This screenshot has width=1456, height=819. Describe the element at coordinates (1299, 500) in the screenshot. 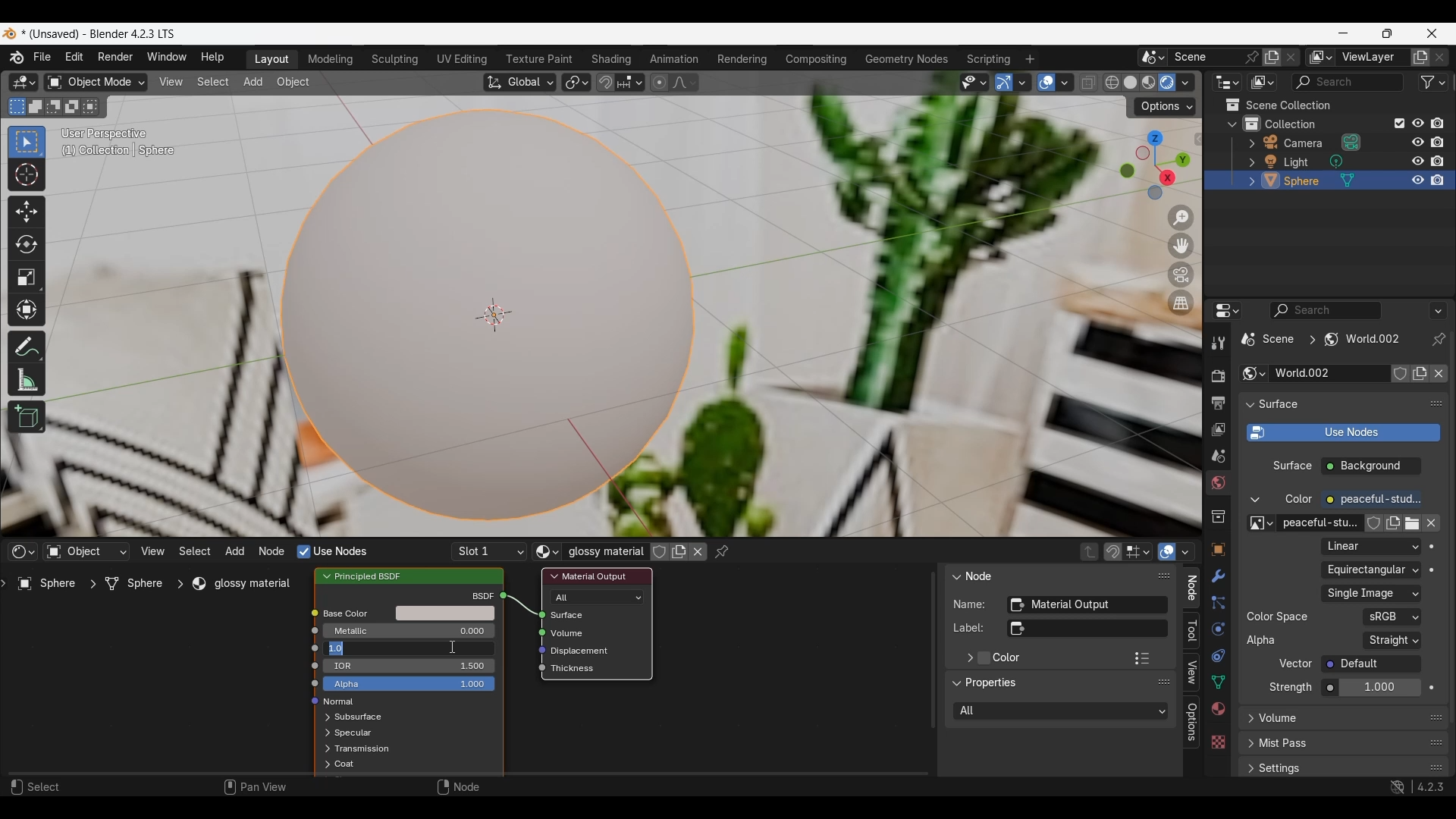

I see `color` at that location.